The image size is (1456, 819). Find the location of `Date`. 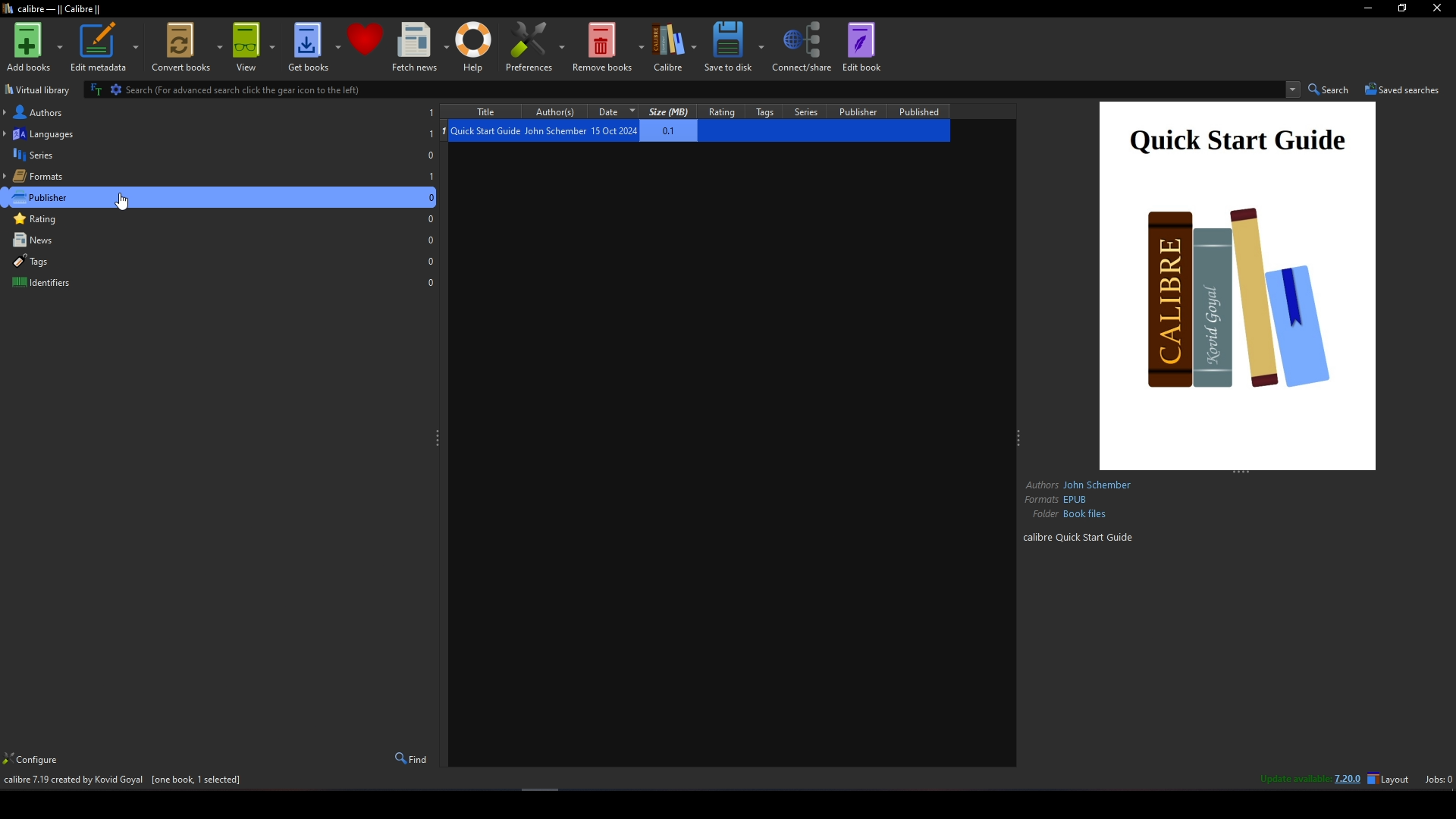

Date is located at coordinates (620, 111).